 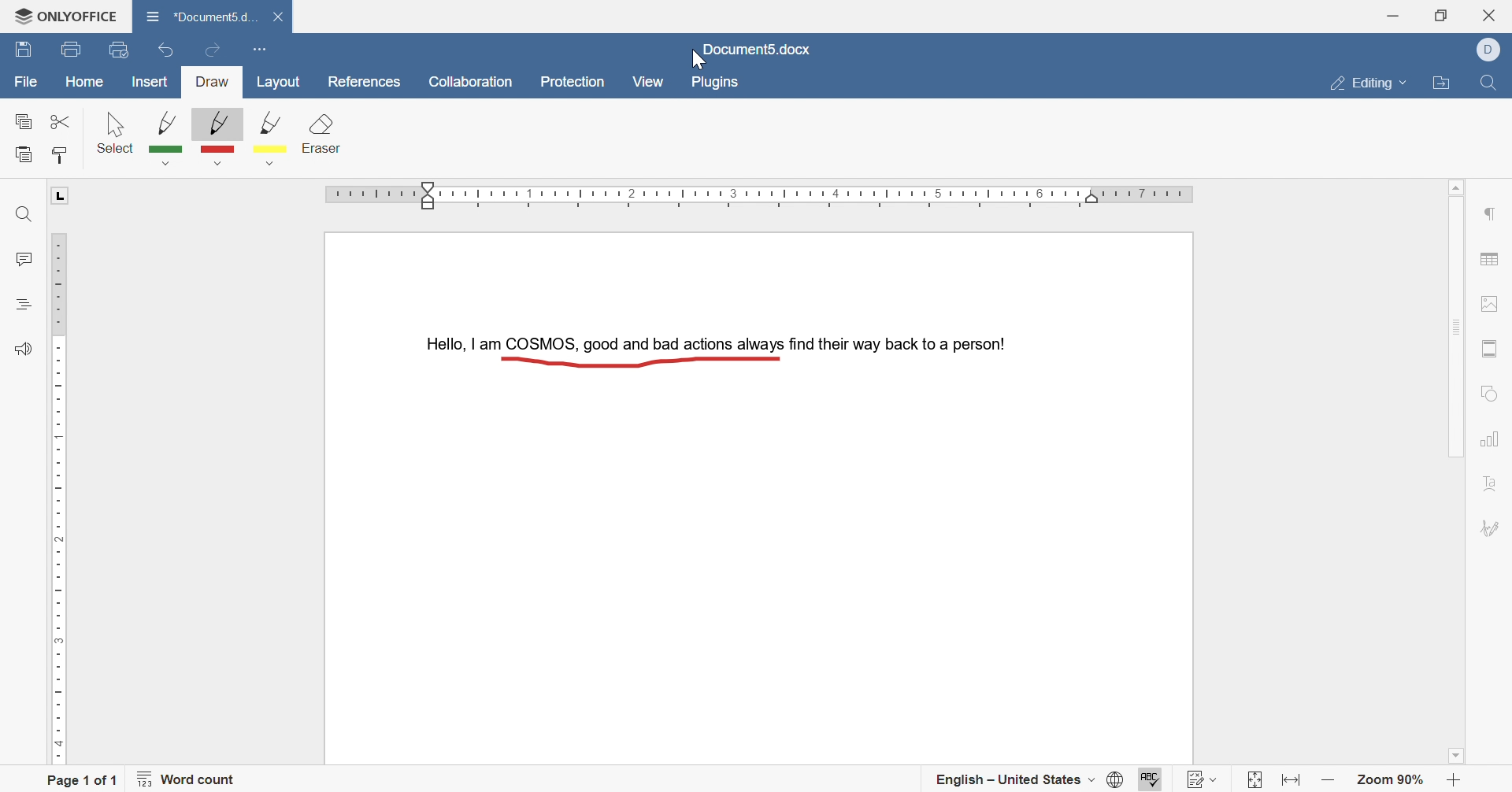 What do you see at coordinates (1392, 781) in the screenshot?
I see `zoom 90%` at bounding box center [1392, 781].